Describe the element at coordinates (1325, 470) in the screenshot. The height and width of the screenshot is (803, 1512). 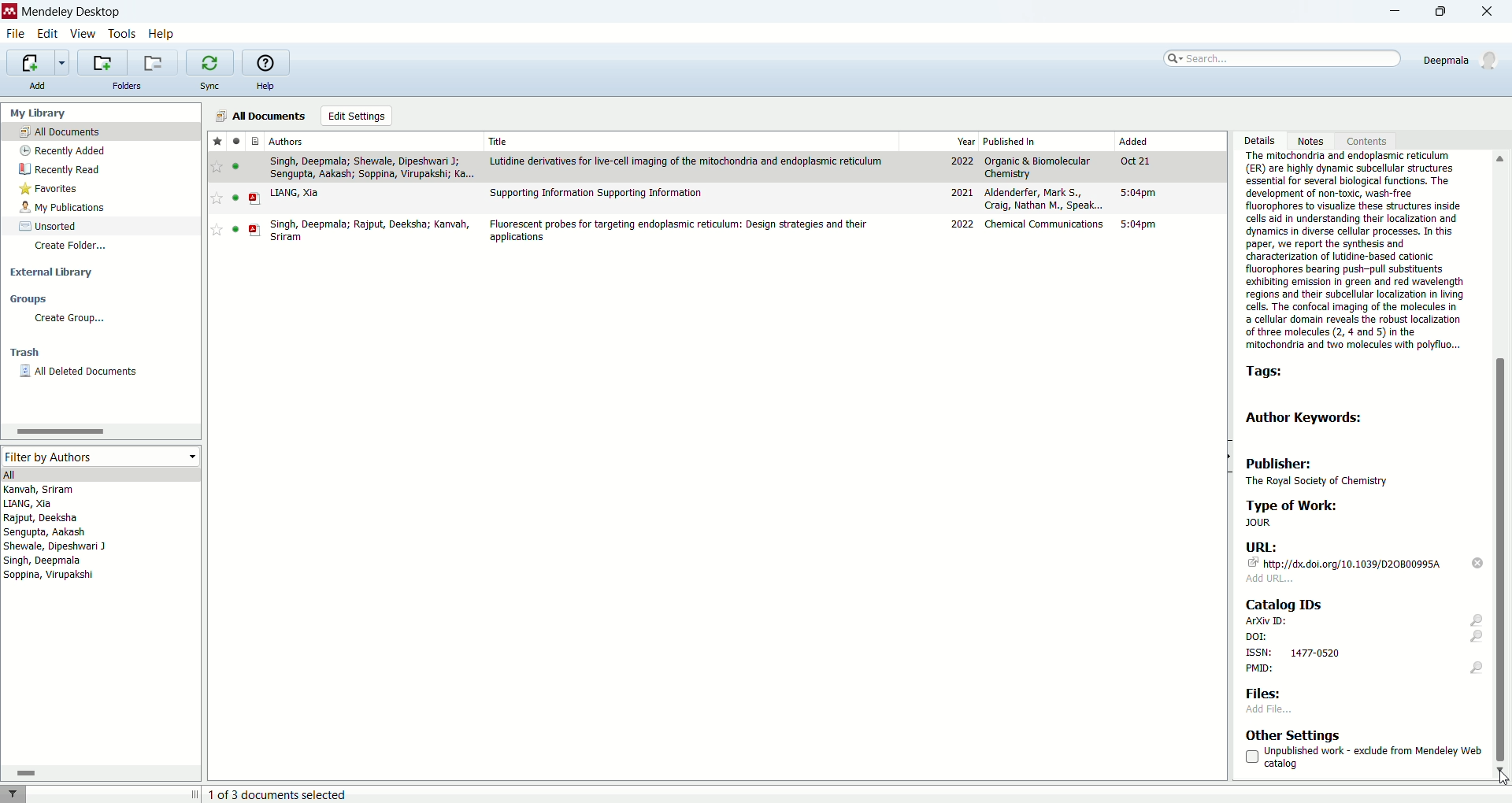
I see `publisher: the royal society of chemistry` at that location.